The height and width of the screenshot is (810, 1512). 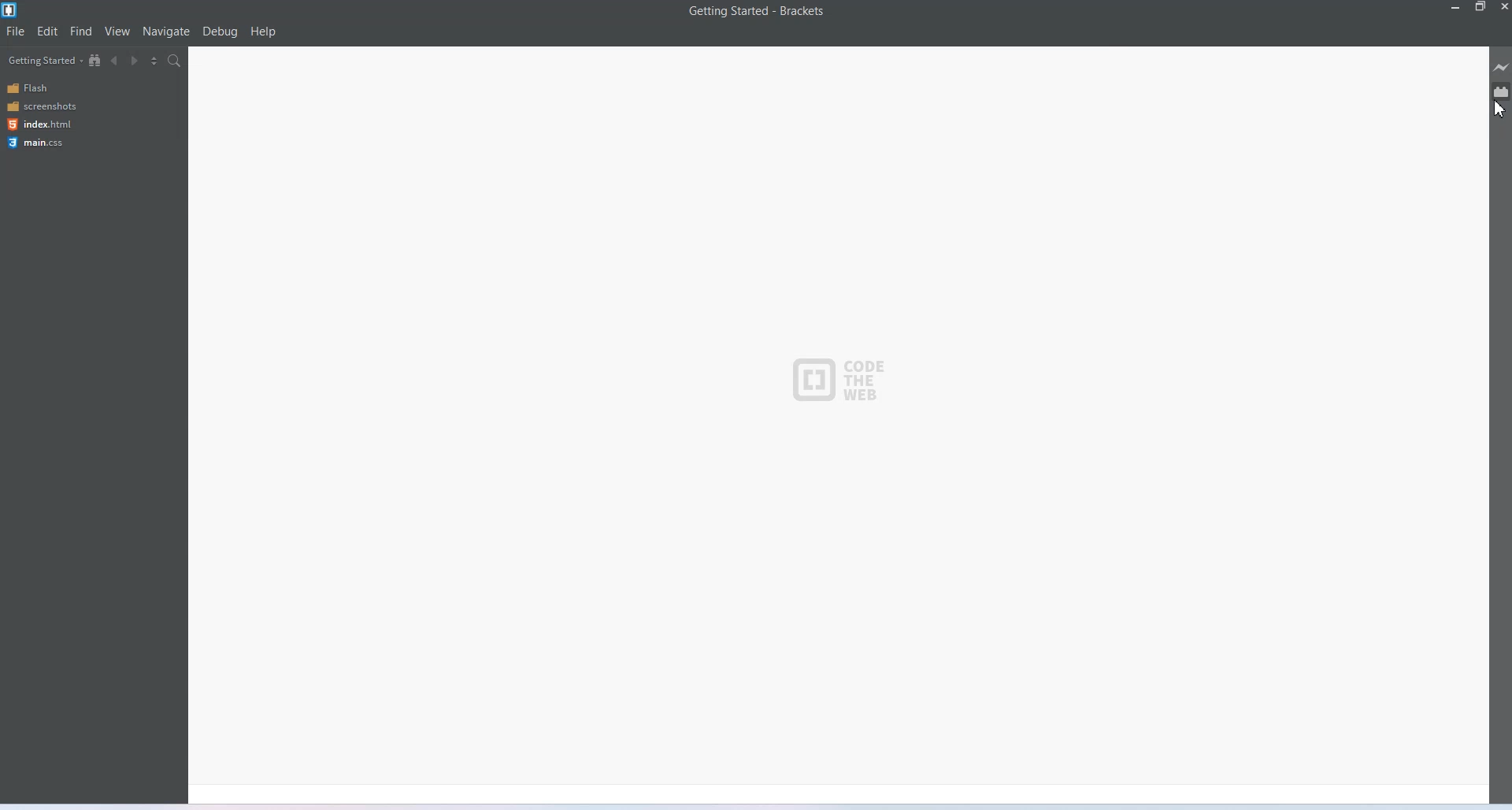 What do you see at coordinates (1502, 91) in the screenshot?
I see `Extension Manager` at bounding box center [1502, 91].